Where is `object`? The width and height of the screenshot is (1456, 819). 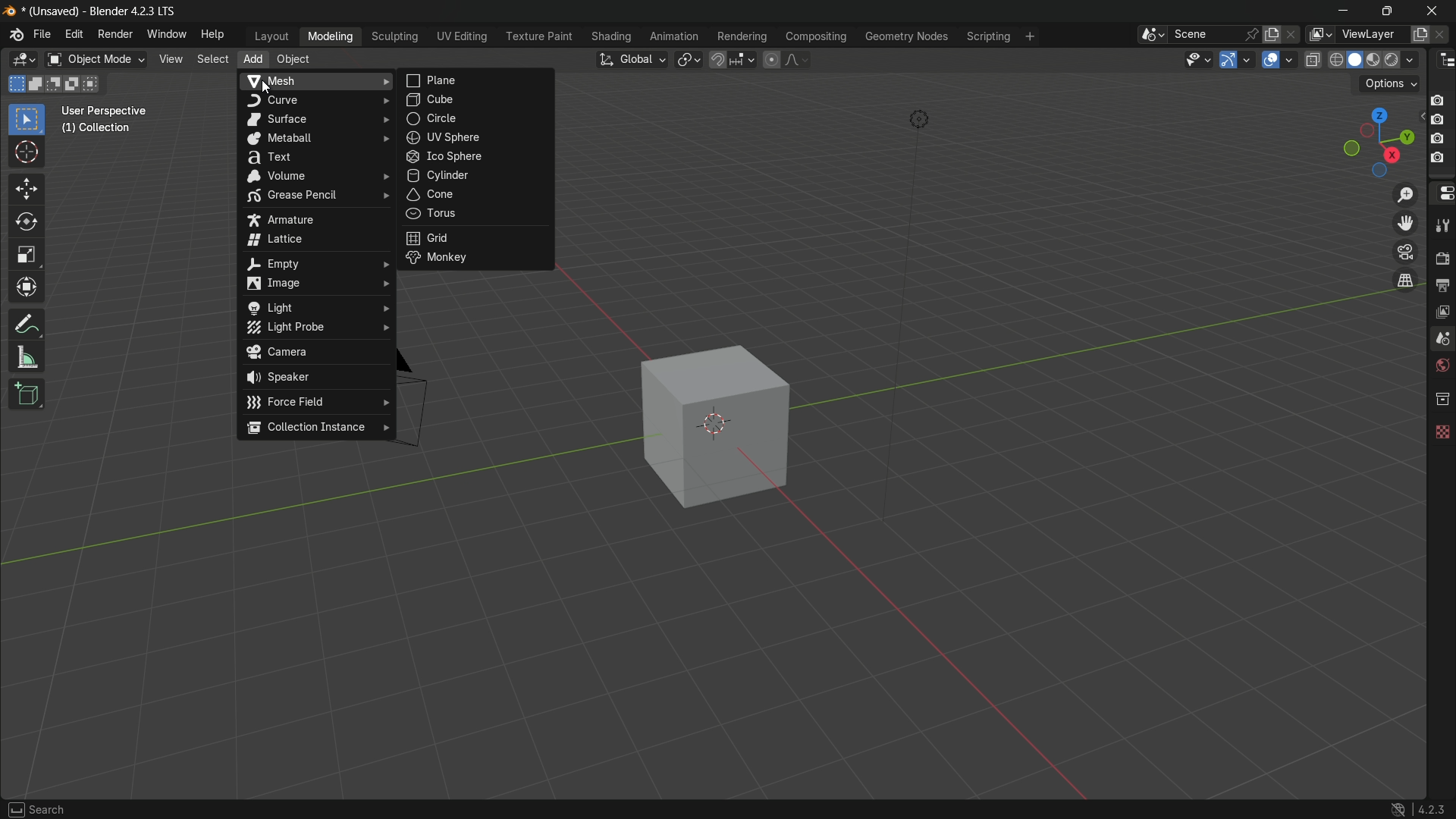
object is located at coordinates (293, 61).